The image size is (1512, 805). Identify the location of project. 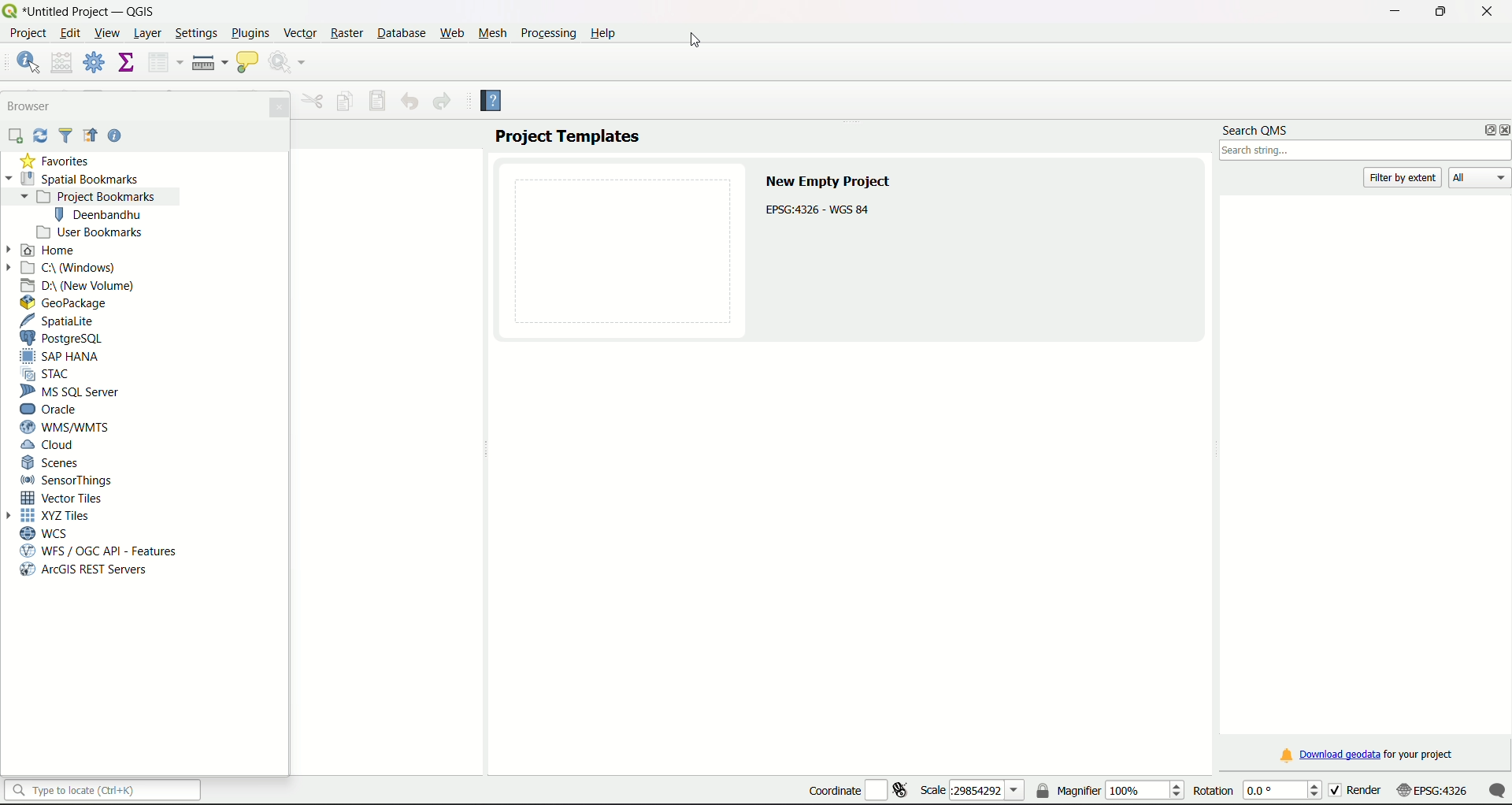
(29, 35).